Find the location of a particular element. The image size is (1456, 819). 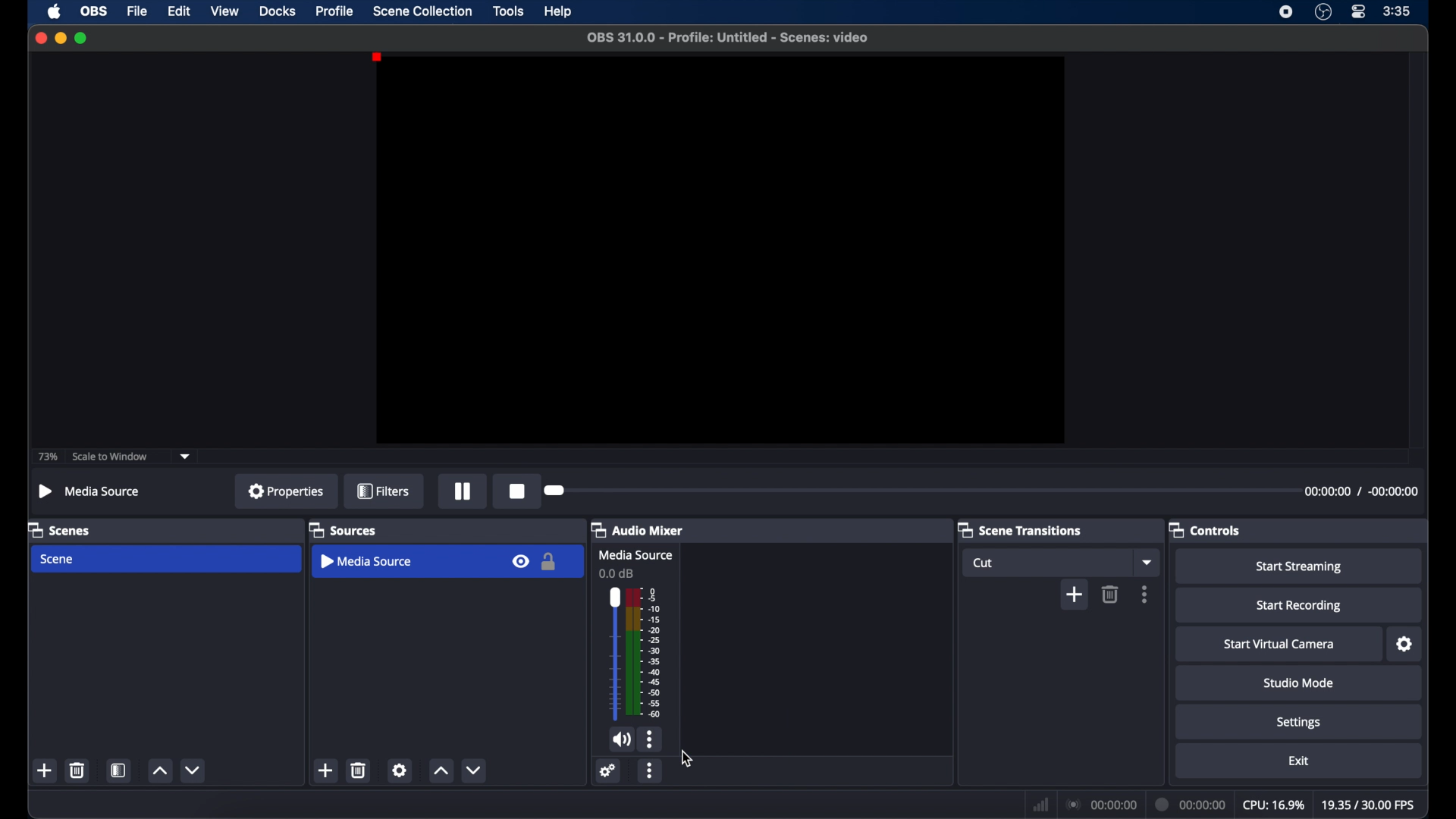

scene filters is located at coordinates (118, 770).